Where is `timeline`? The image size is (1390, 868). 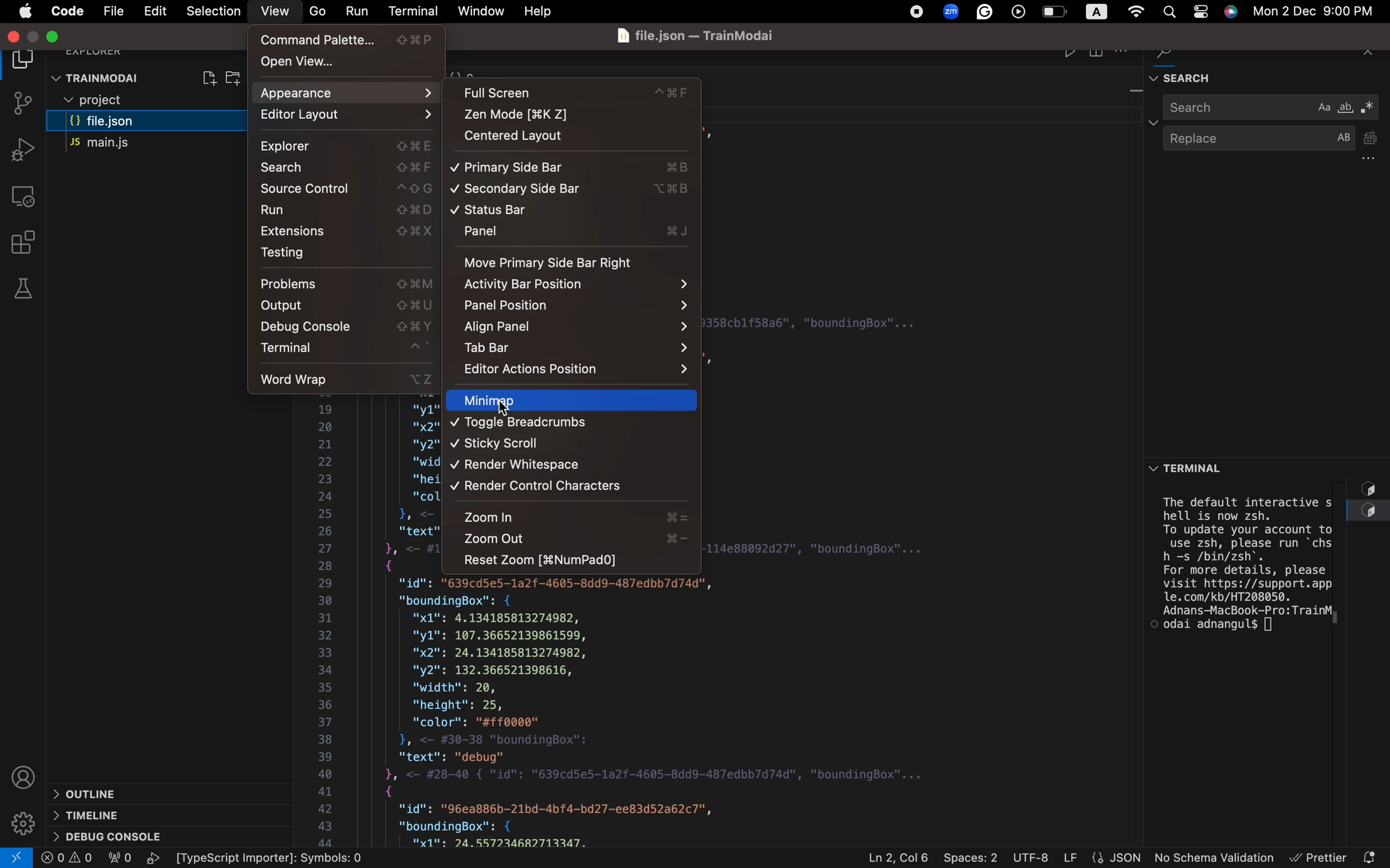 timeline is located at coordinates (119, 816).